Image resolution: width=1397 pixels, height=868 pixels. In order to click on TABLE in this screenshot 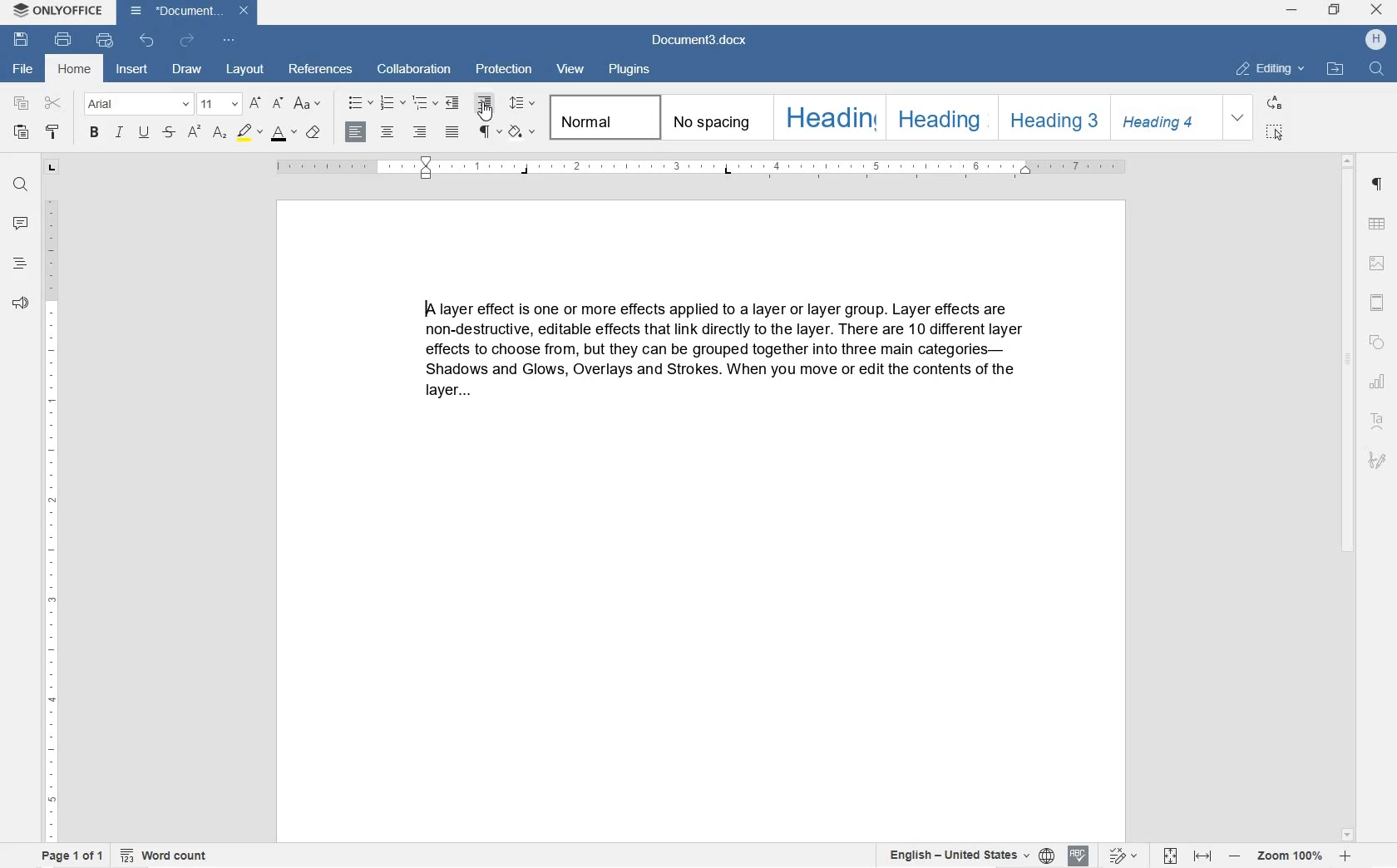, I will do `click(1377, 223)`.